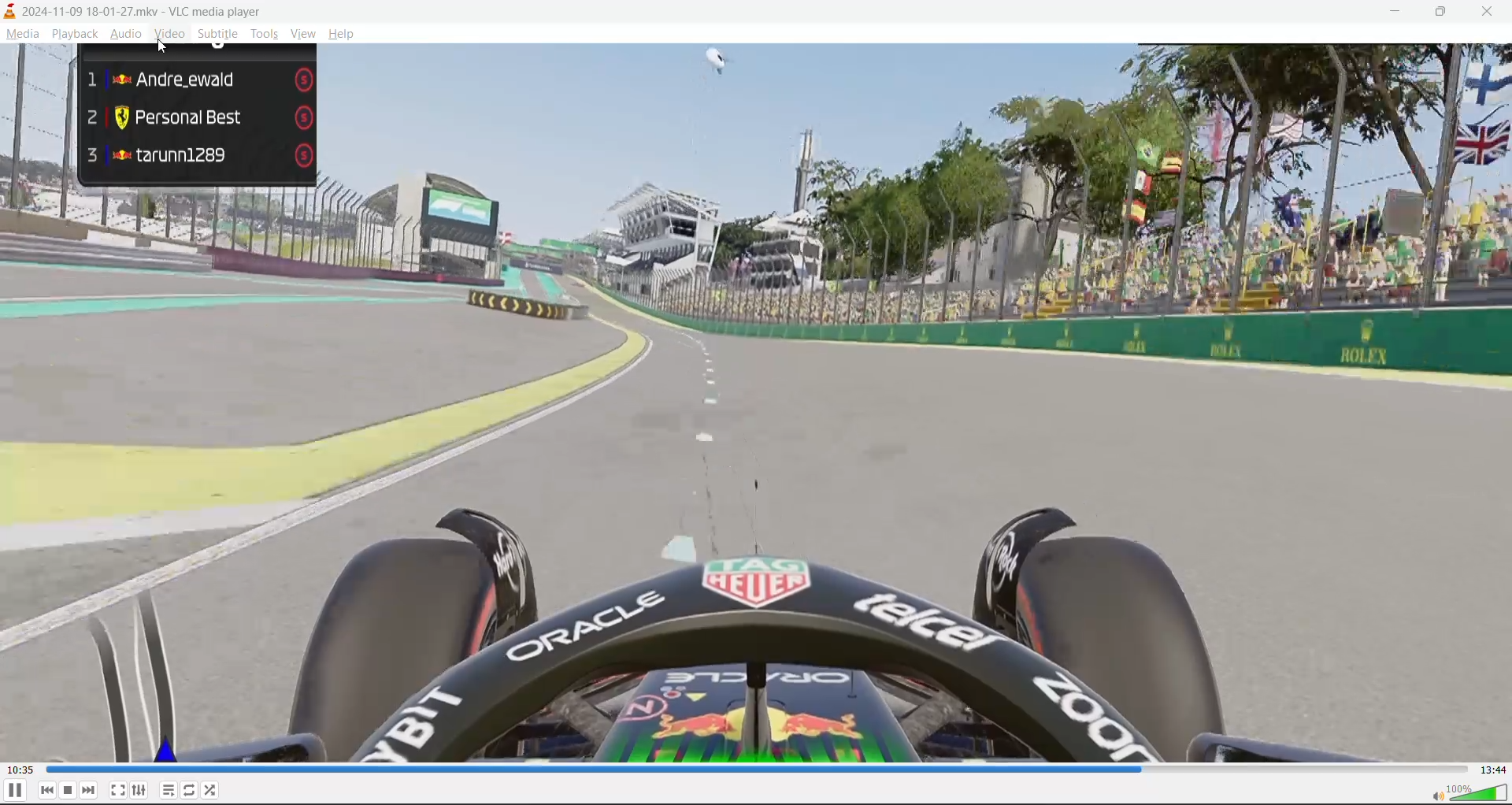 This screenshot has height=805, width=1512. I want to click on stop, so click(69, 790).